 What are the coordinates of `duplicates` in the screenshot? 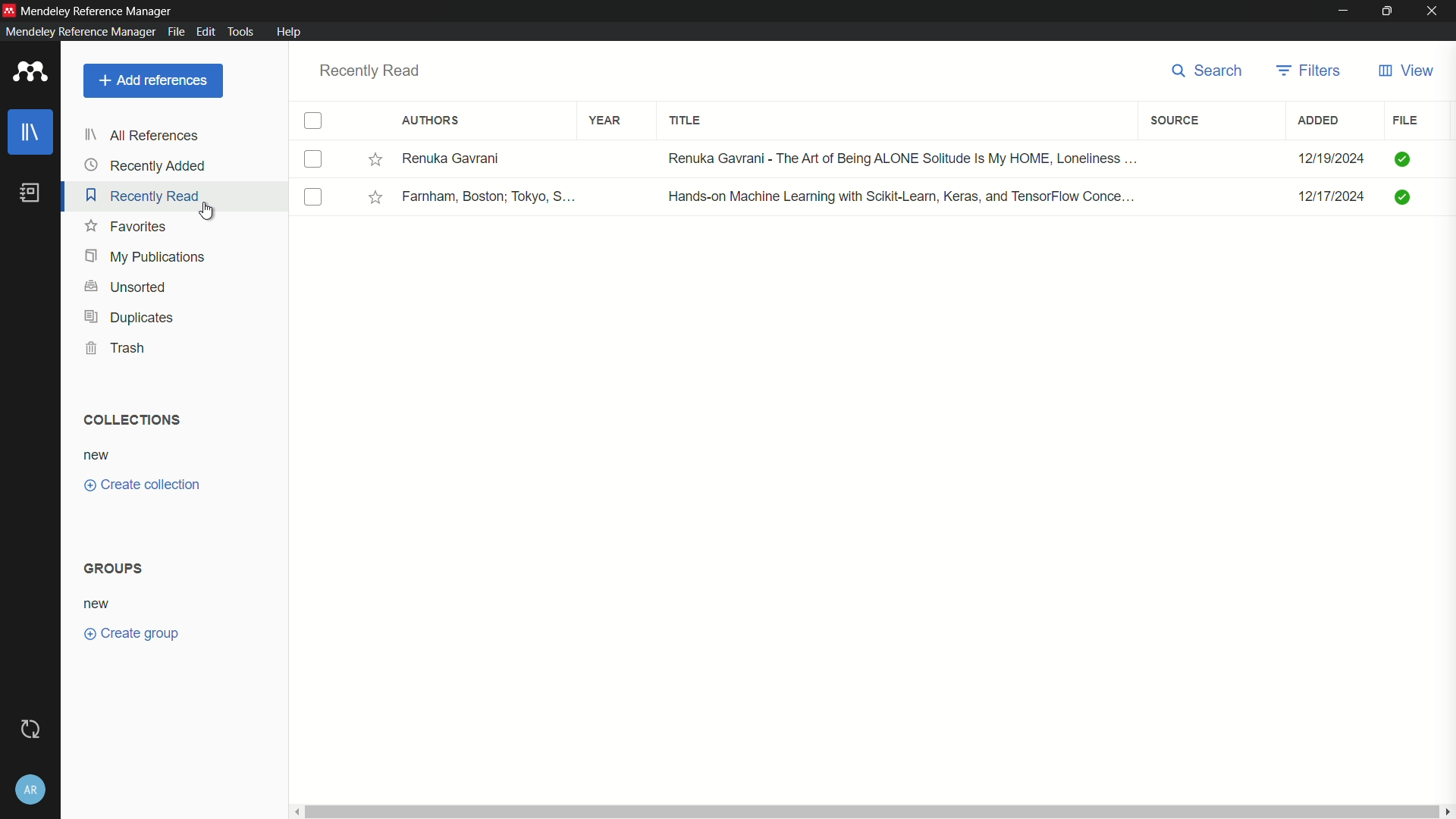 It's located at (129, 317).